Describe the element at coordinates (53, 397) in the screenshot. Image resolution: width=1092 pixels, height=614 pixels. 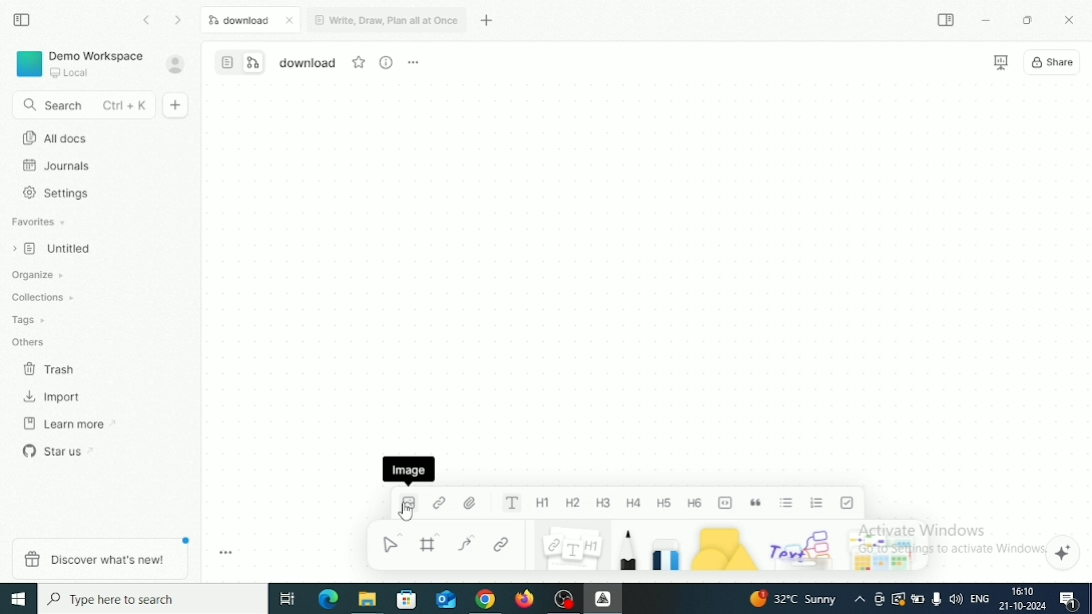
I see `Import` at that location.